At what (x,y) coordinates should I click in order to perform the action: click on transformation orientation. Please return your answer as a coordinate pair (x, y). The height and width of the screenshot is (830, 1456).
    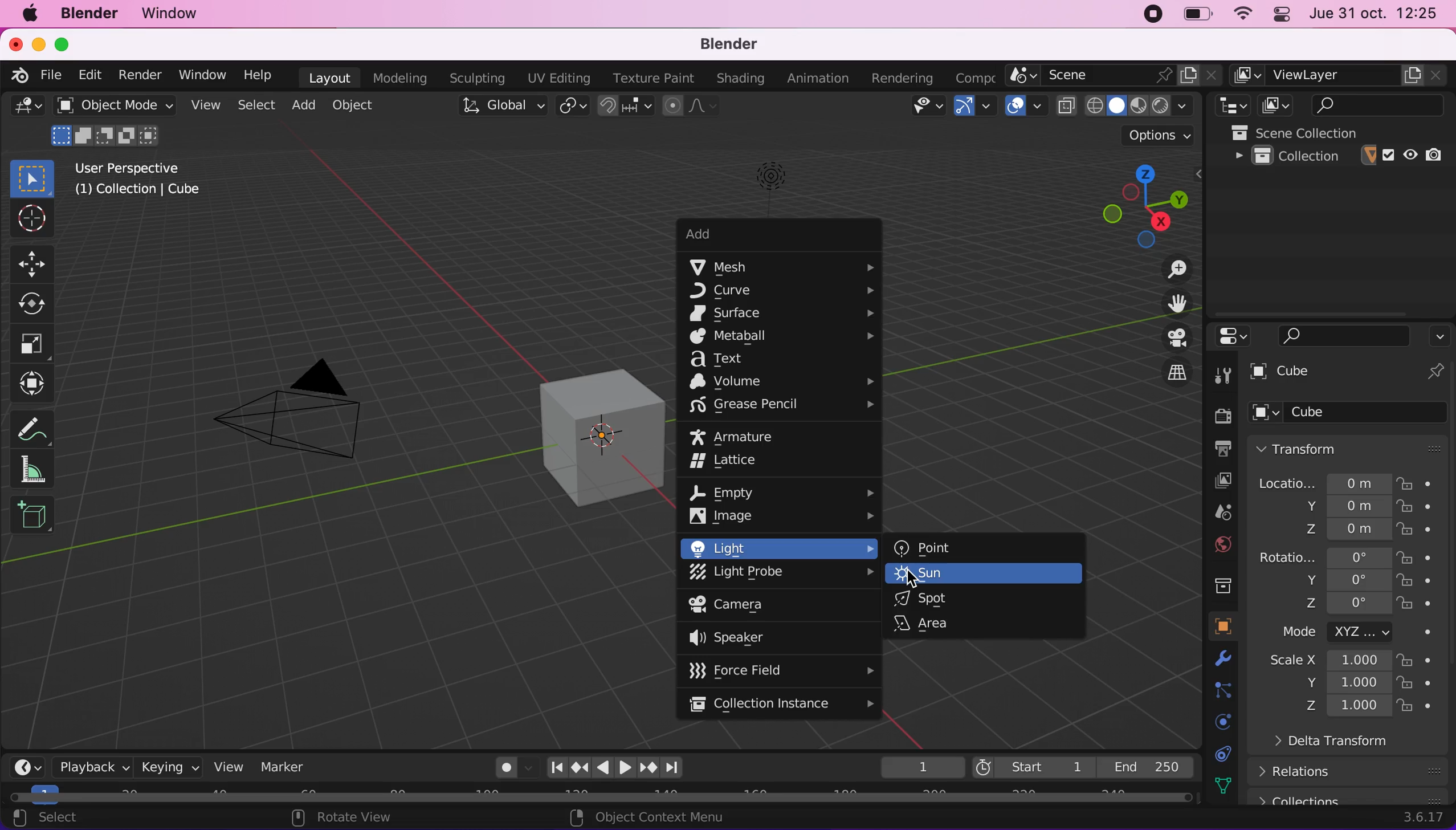
    Looking at the image, I should click on (505, 105).